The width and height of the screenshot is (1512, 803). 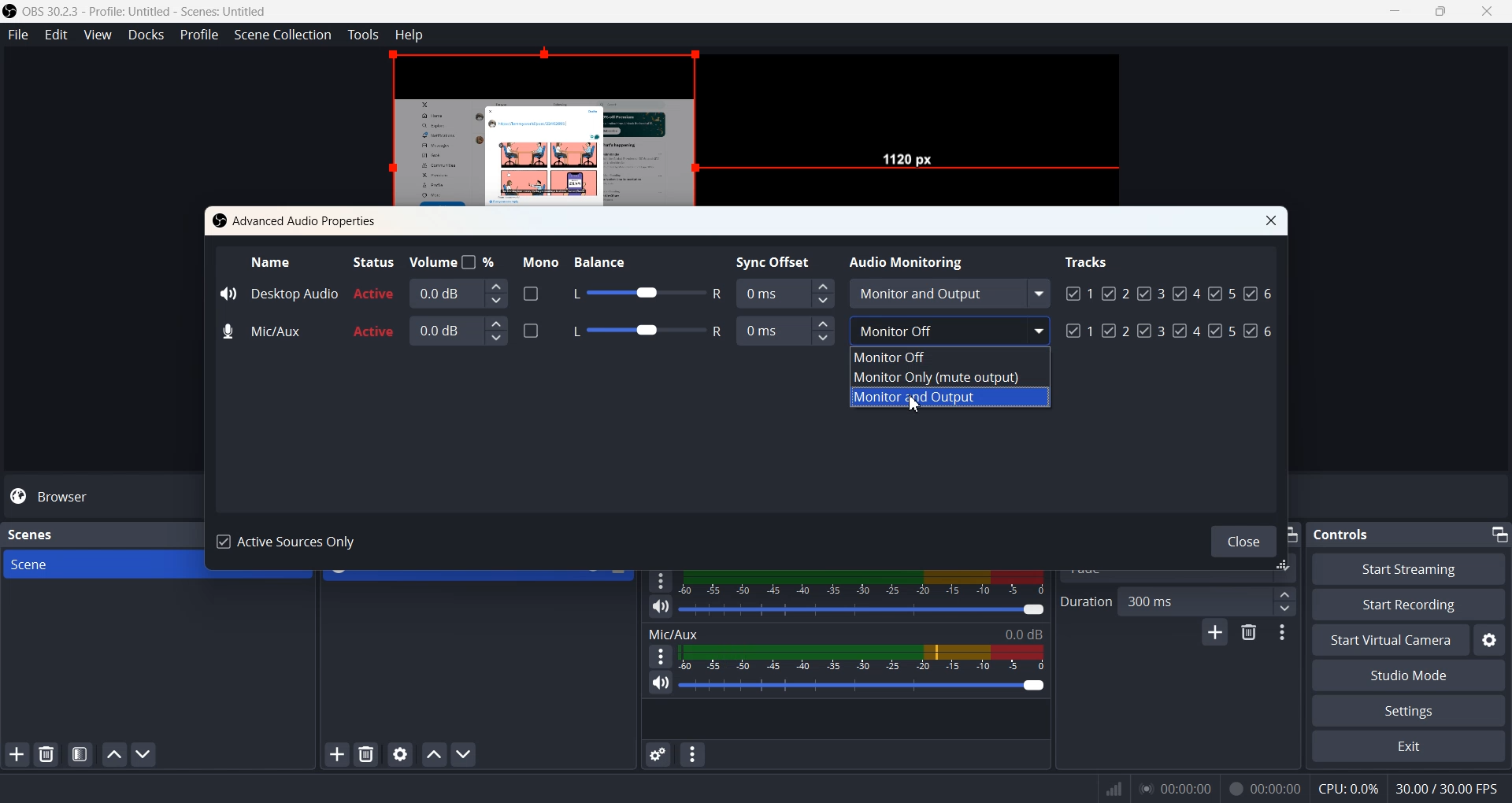 I want to click on Delete Selected Scene, so click(x=46, y=755).